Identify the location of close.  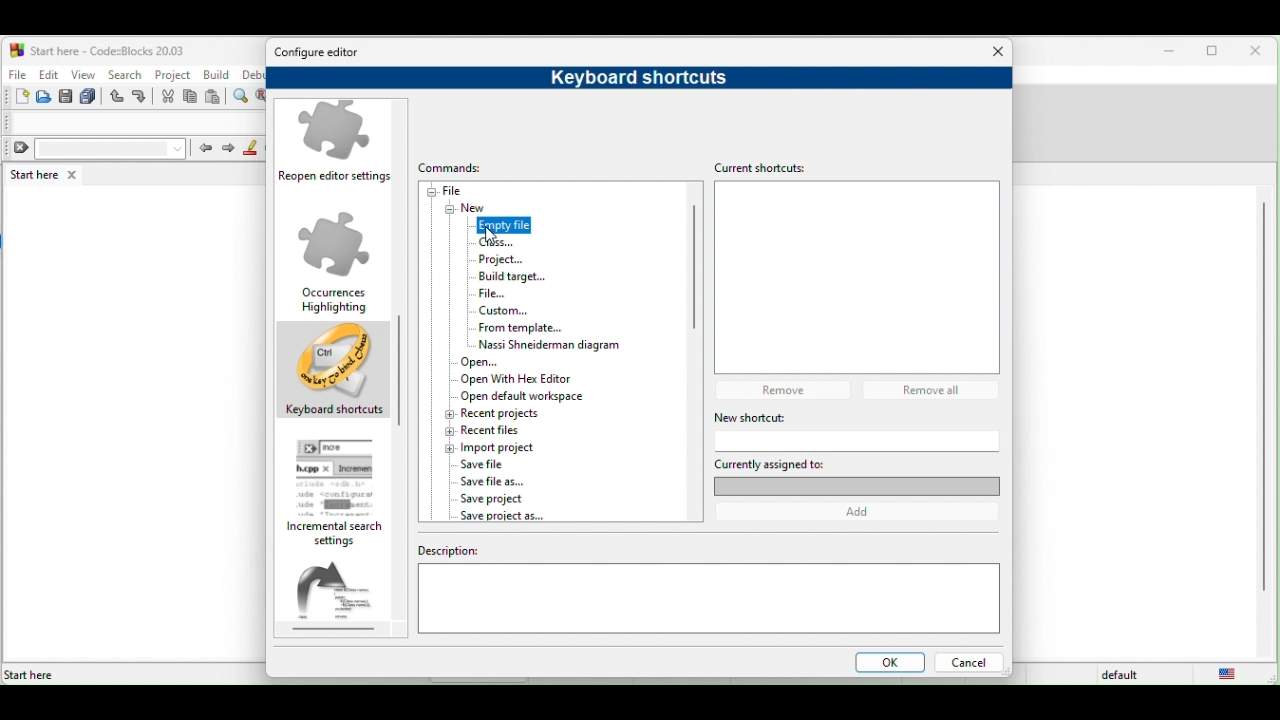
(1260, 52).